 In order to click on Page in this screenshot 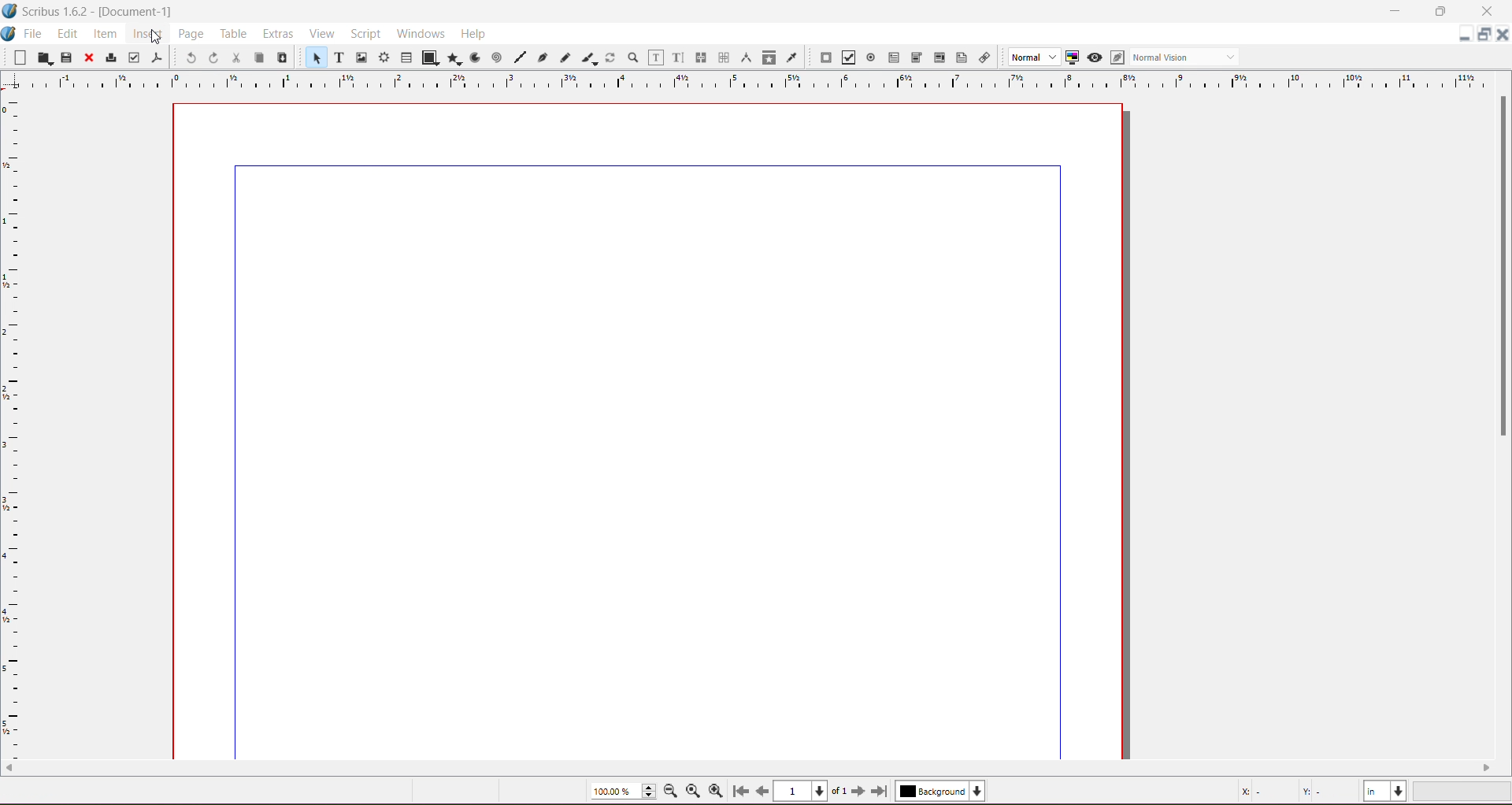, I will do `click(193, 35)`.